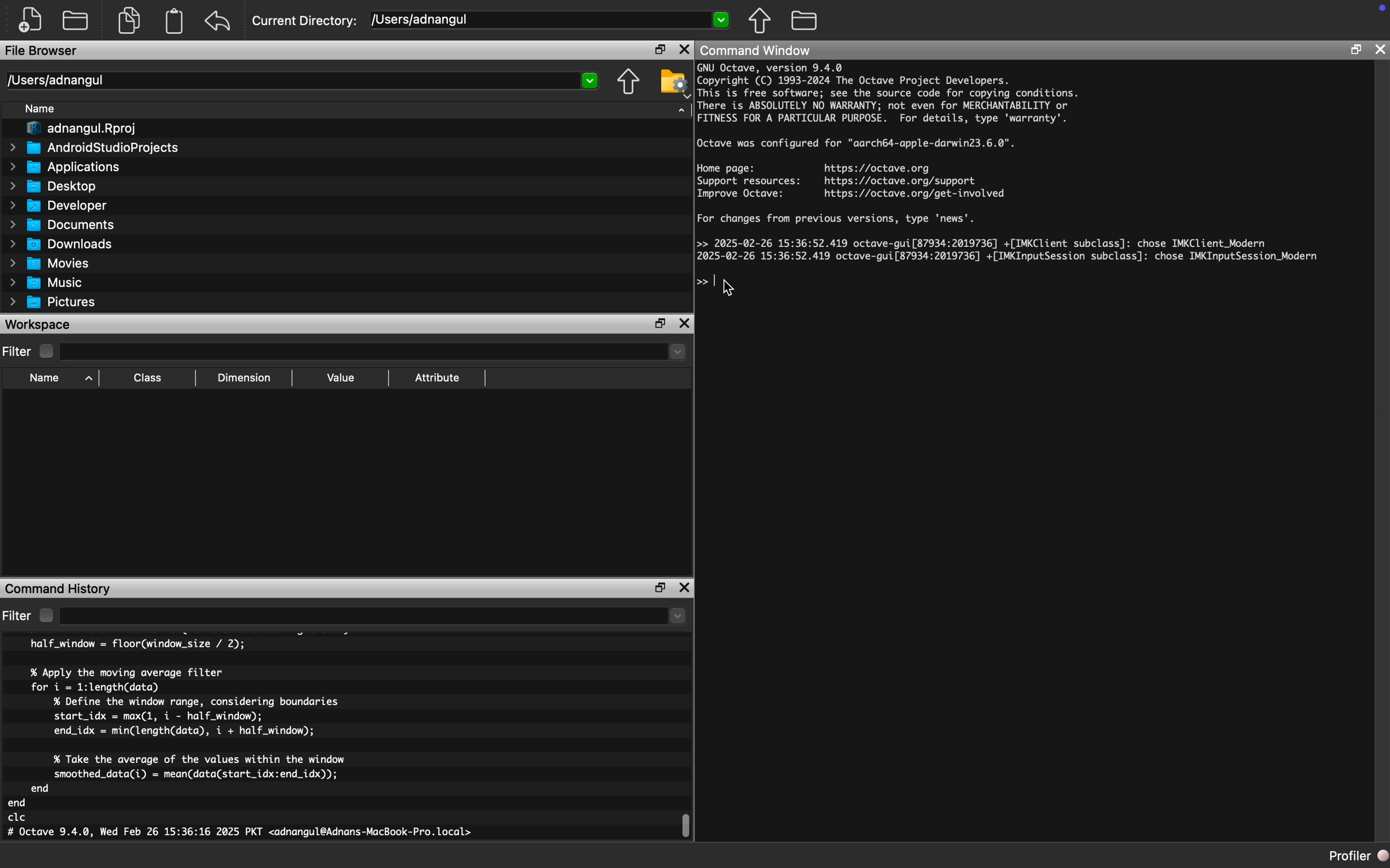  I want to click on Restore Down, so click(660, 324).